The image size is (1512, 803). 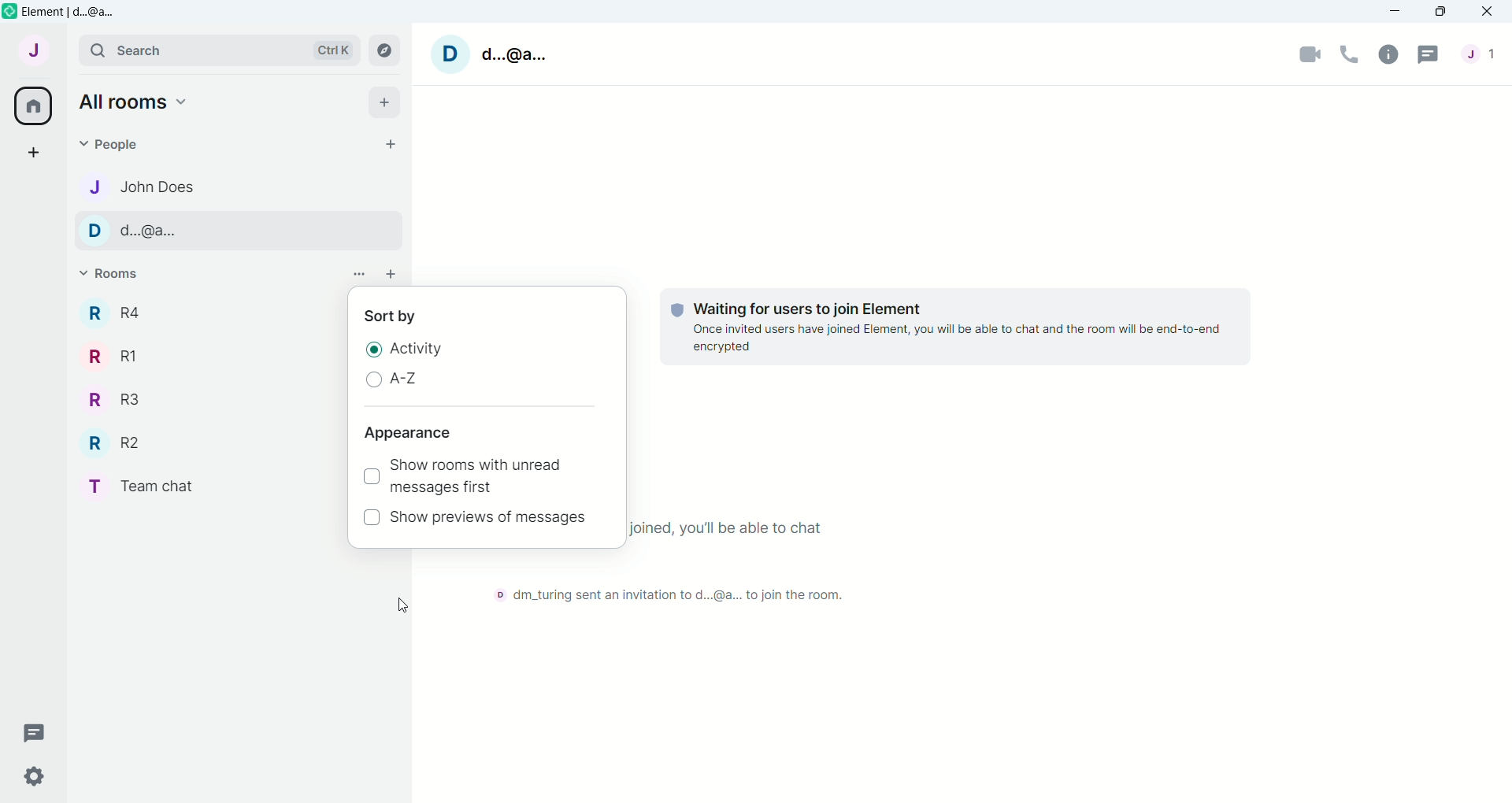 What do you see at coordinates (74, 11) in the screenshot?
I see `Element` at bounding box center [74, 11].